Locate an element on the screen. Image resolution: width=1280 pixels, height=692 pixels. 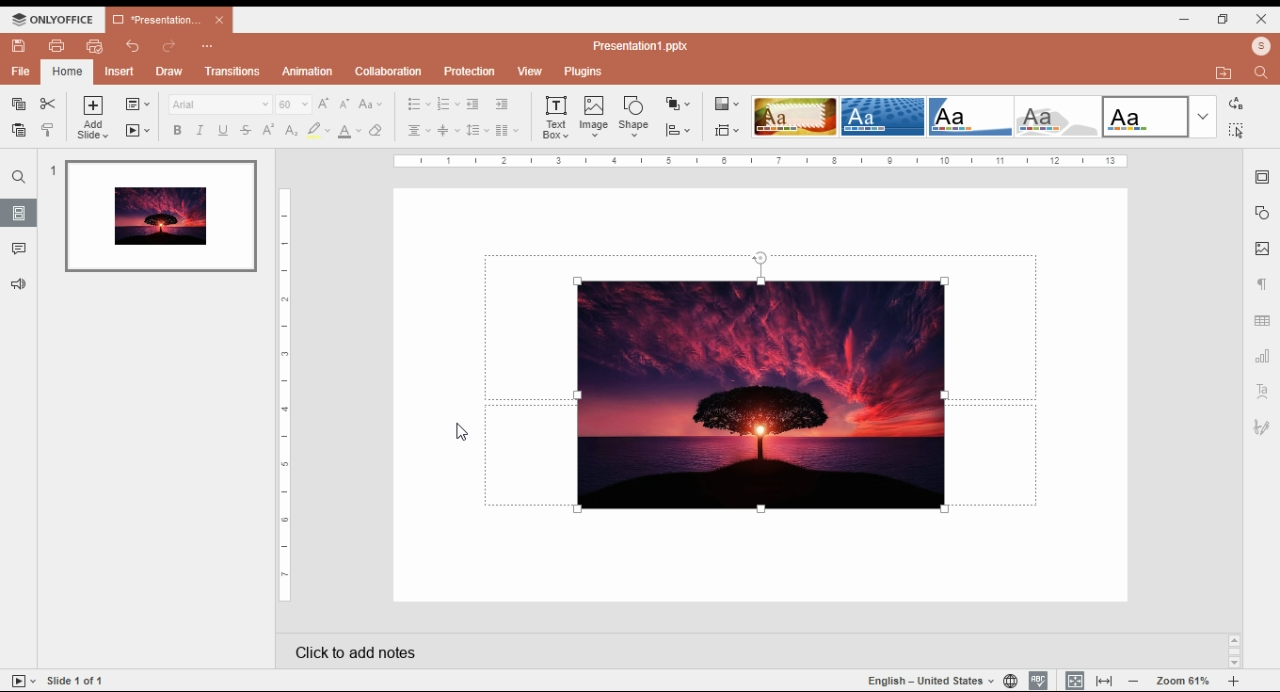
font color is located at coordinates (350, 133).